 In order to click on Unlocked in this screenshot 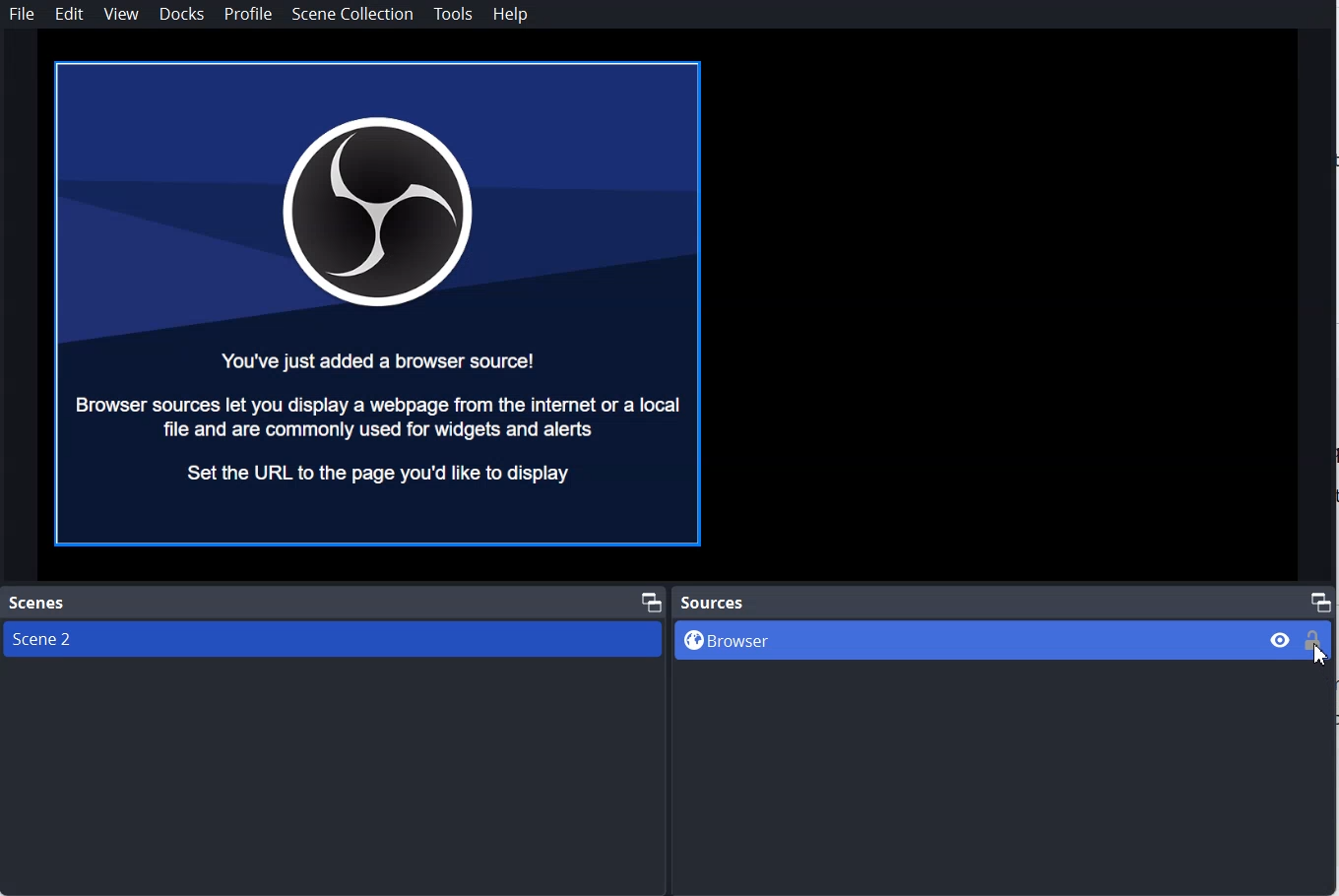, I will do `click(1315, 639)`.